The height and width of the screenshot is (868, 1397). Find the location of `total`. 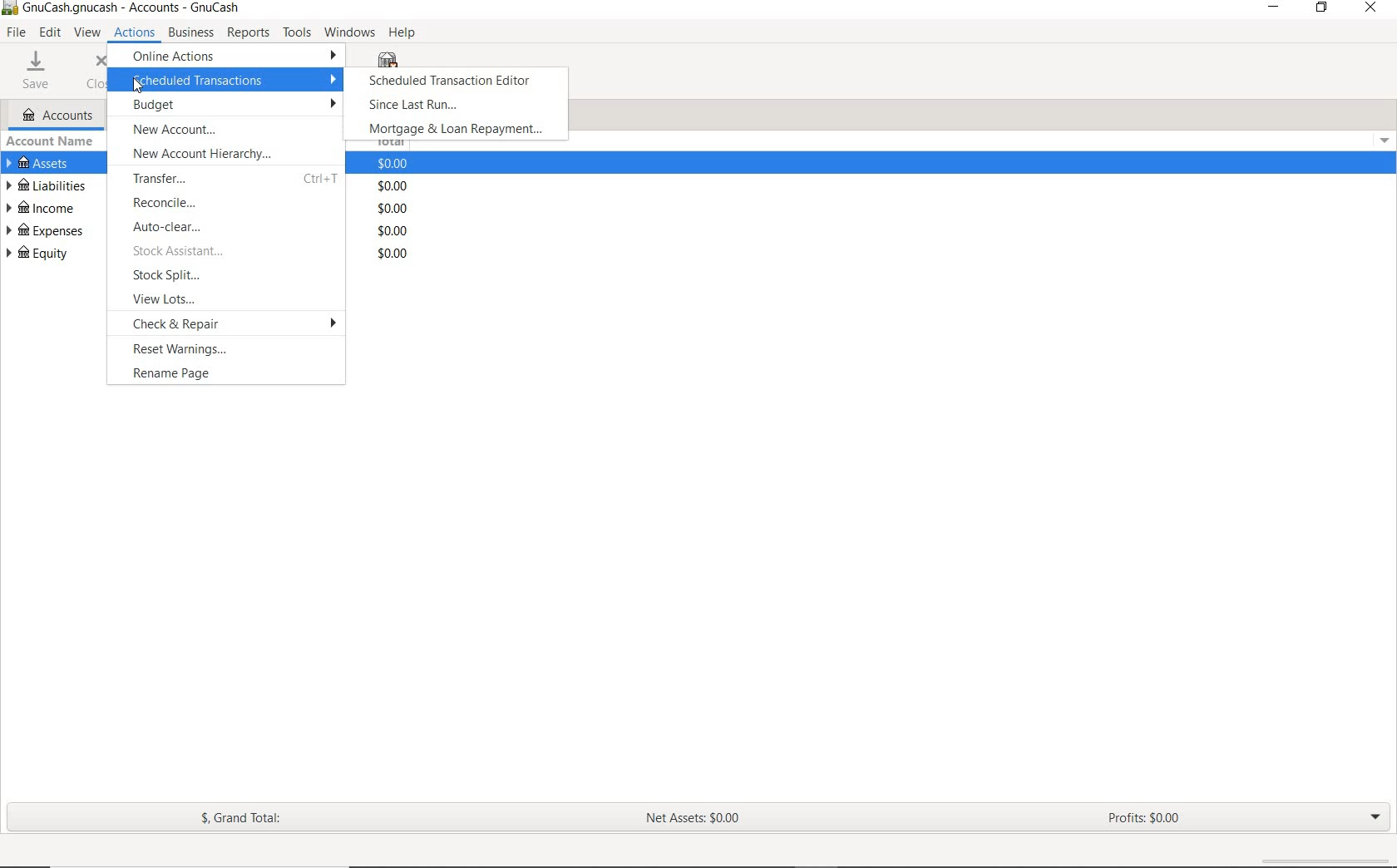

total is located at coordinates (393, 207).